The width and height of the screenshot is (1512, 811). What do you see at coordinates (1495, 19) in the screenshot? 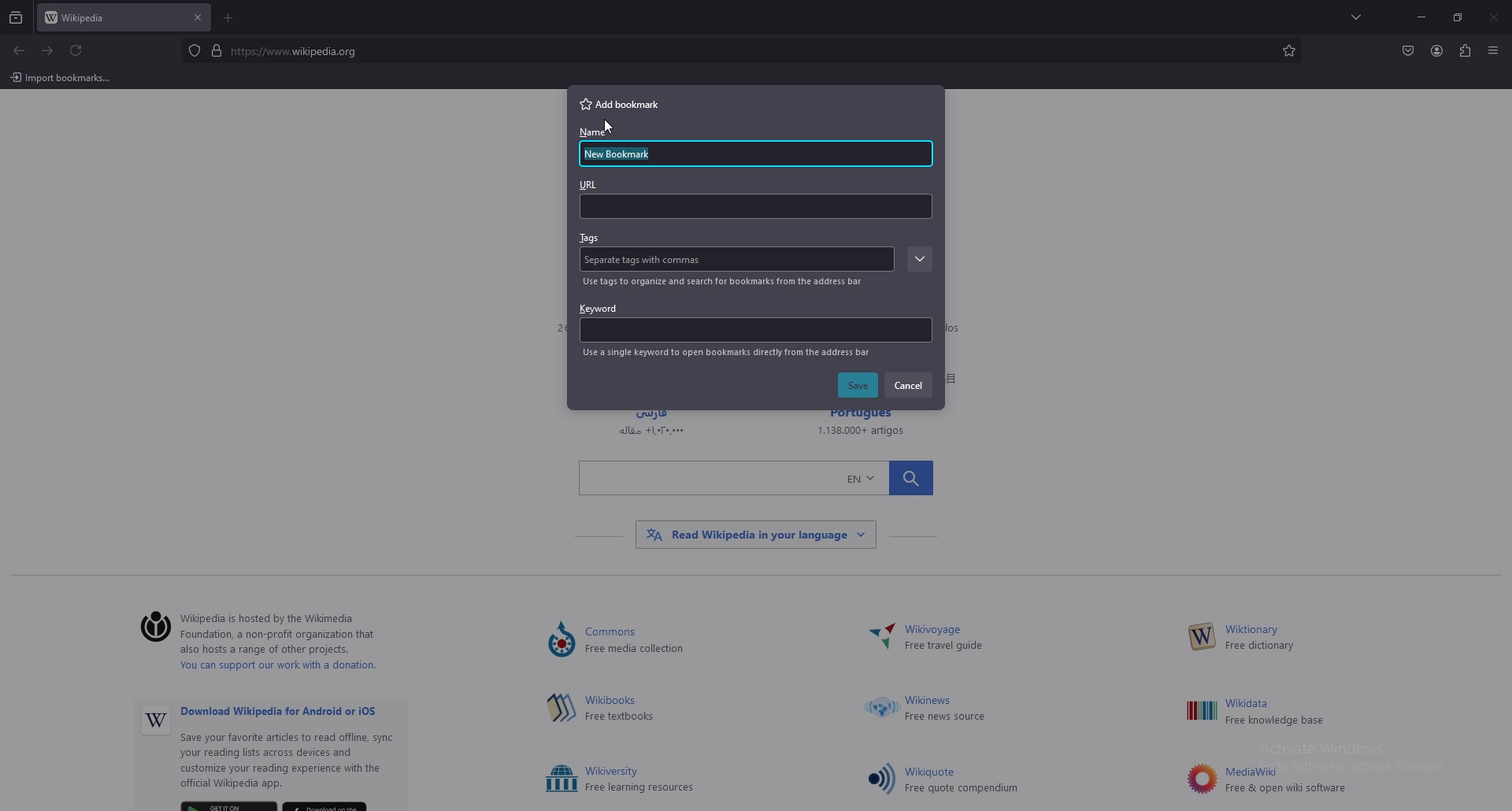
I see `` at bounding box center [1495, 19].